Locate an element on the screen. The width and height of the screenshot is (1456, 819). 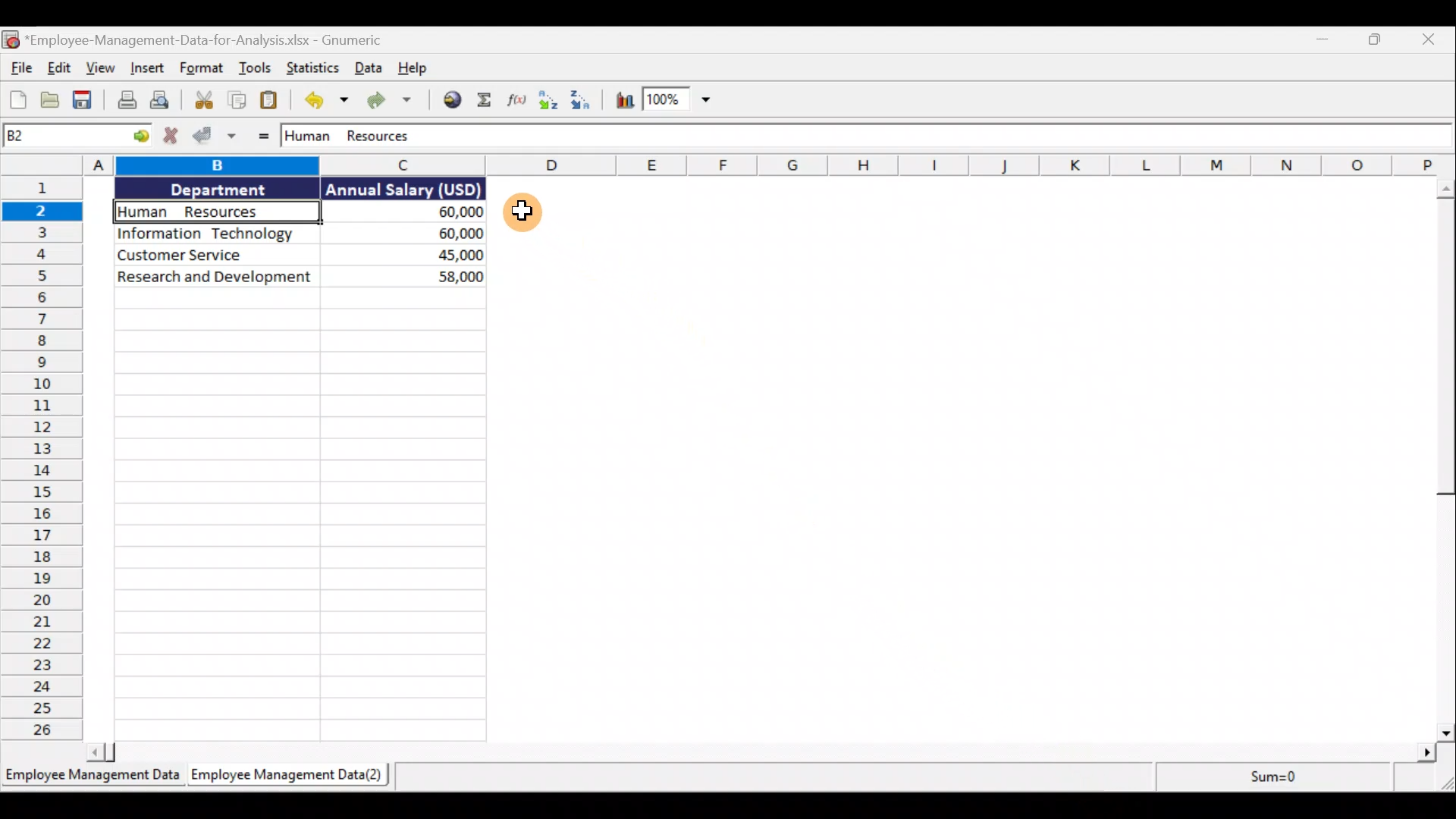
Sum=0 is located at coordinates (1263, 778).